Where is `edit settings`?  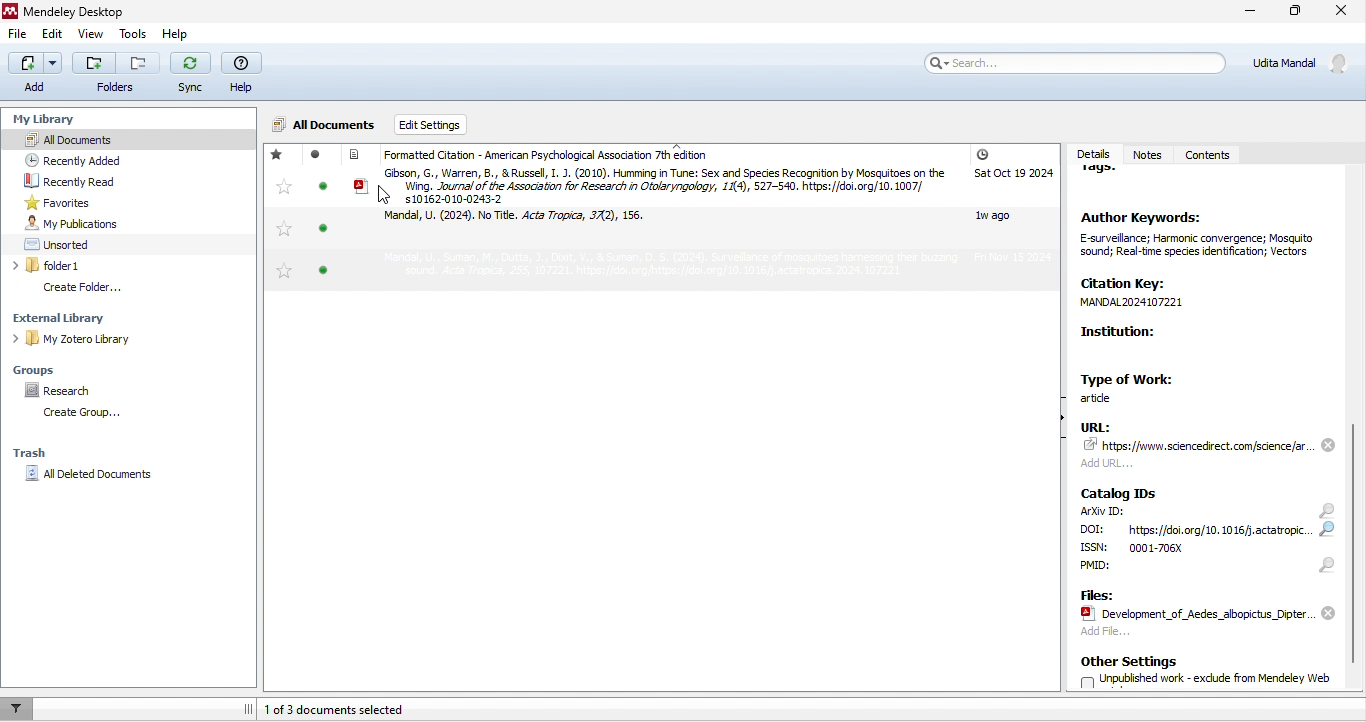
edit settings is located at coordinates (451, 125).